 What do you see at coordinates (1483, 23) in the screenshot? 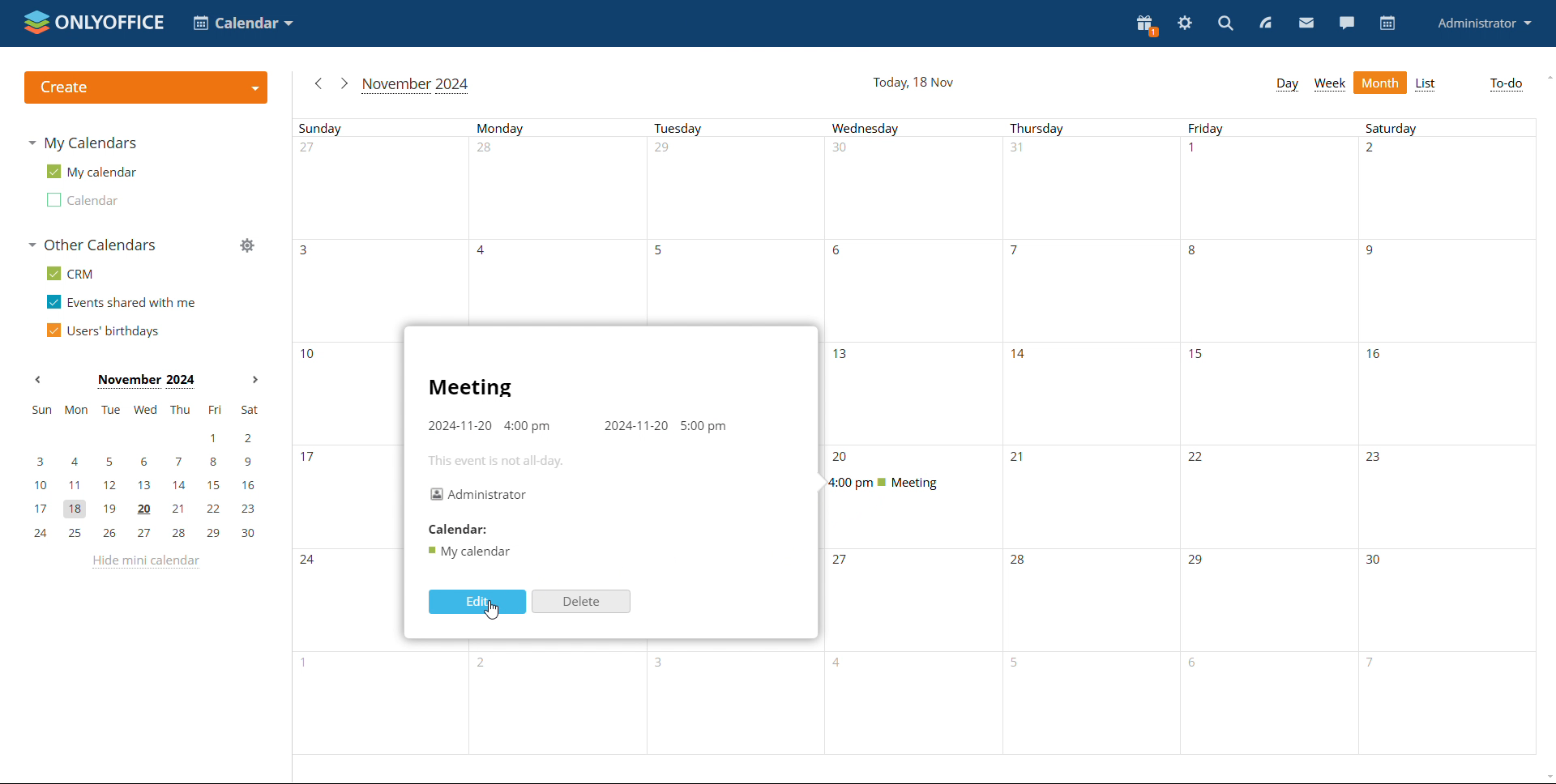
I see `profile` at bounding box center [1483, 23].